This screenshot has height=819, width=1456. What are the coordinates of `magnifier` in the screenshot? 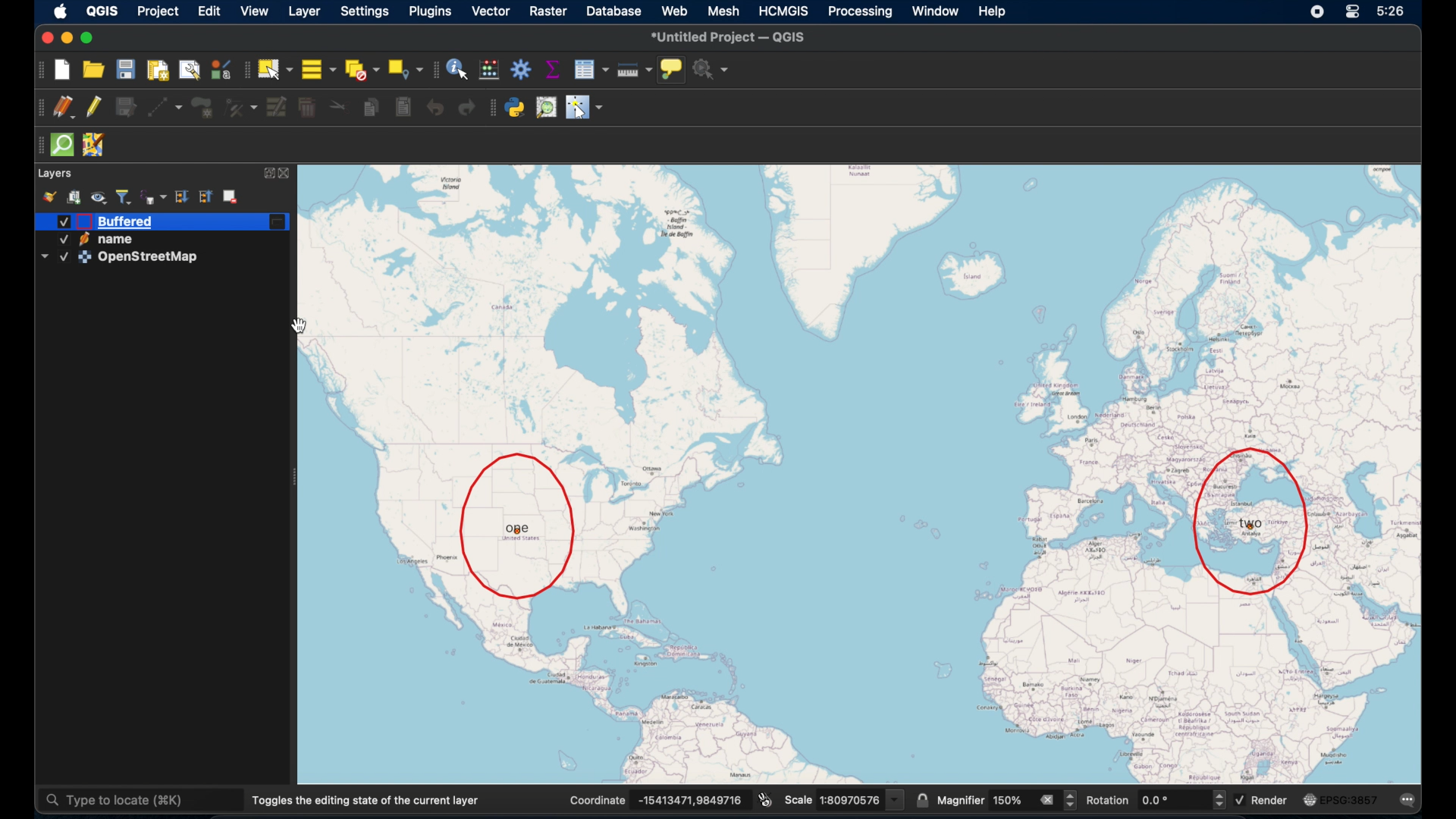 It's located at (959, 799).